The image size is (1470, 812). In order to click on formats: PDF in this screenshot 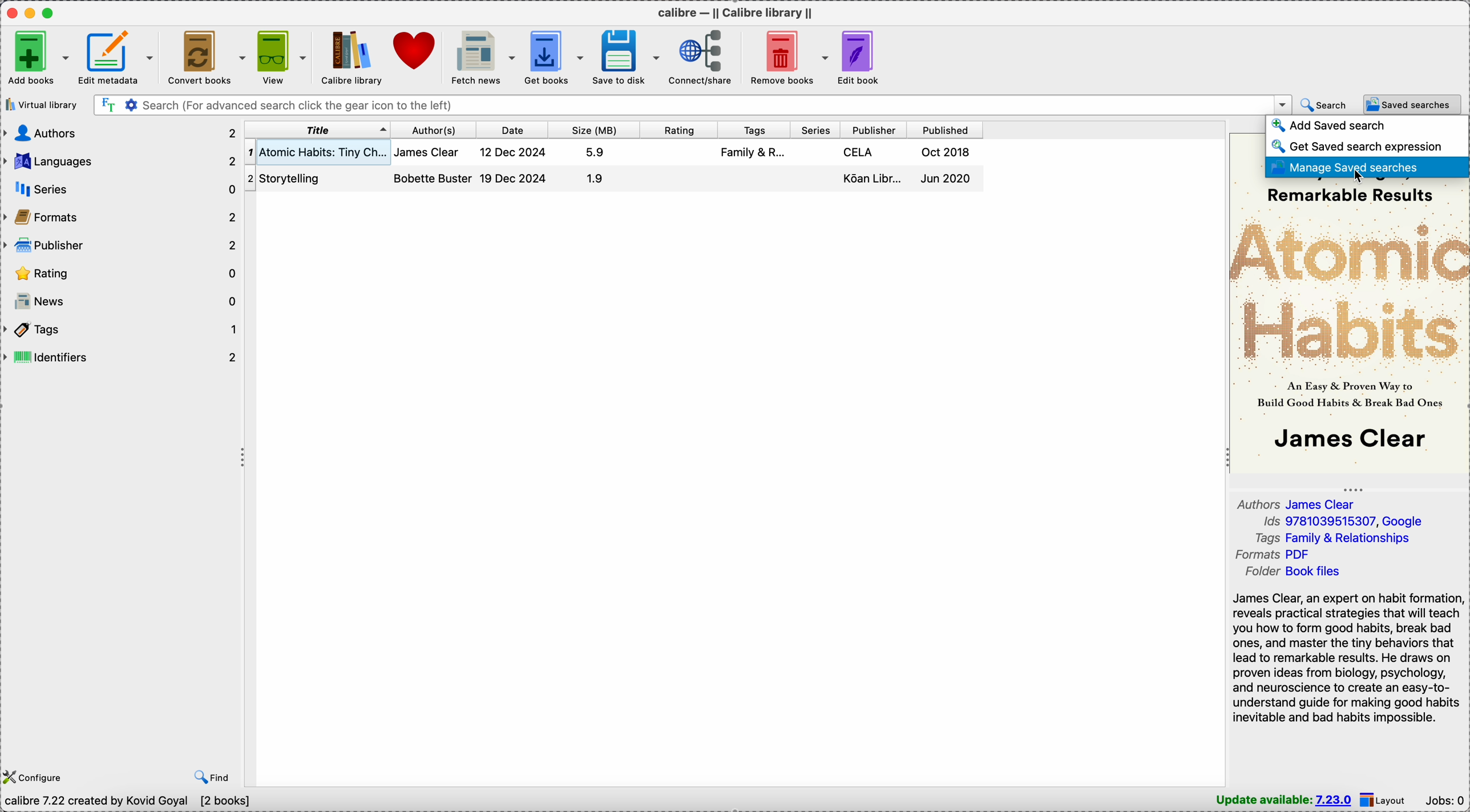, I will do `click(1276, 555)`.